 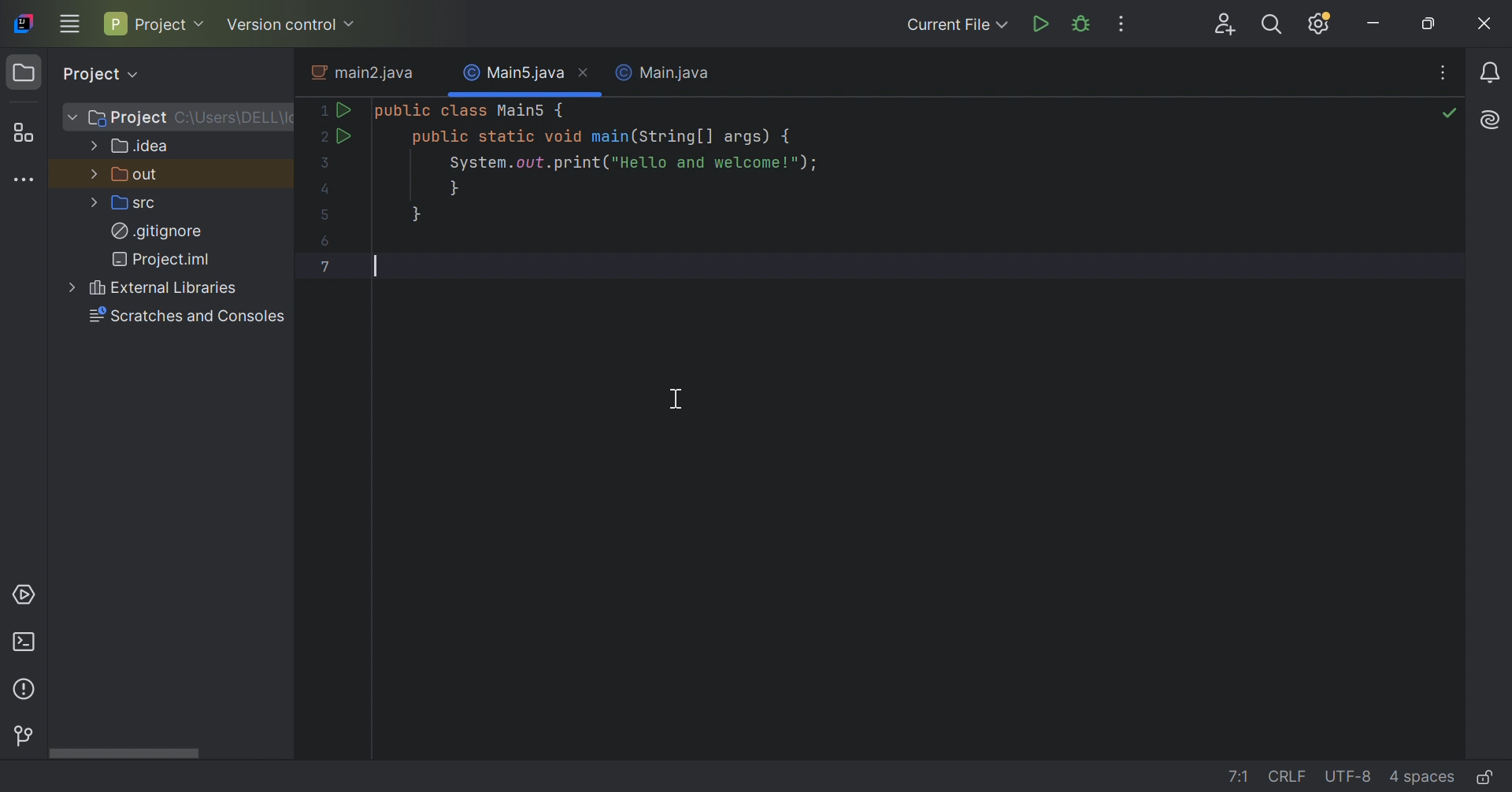 I want to click on Structure, so click(x=31, y=133).